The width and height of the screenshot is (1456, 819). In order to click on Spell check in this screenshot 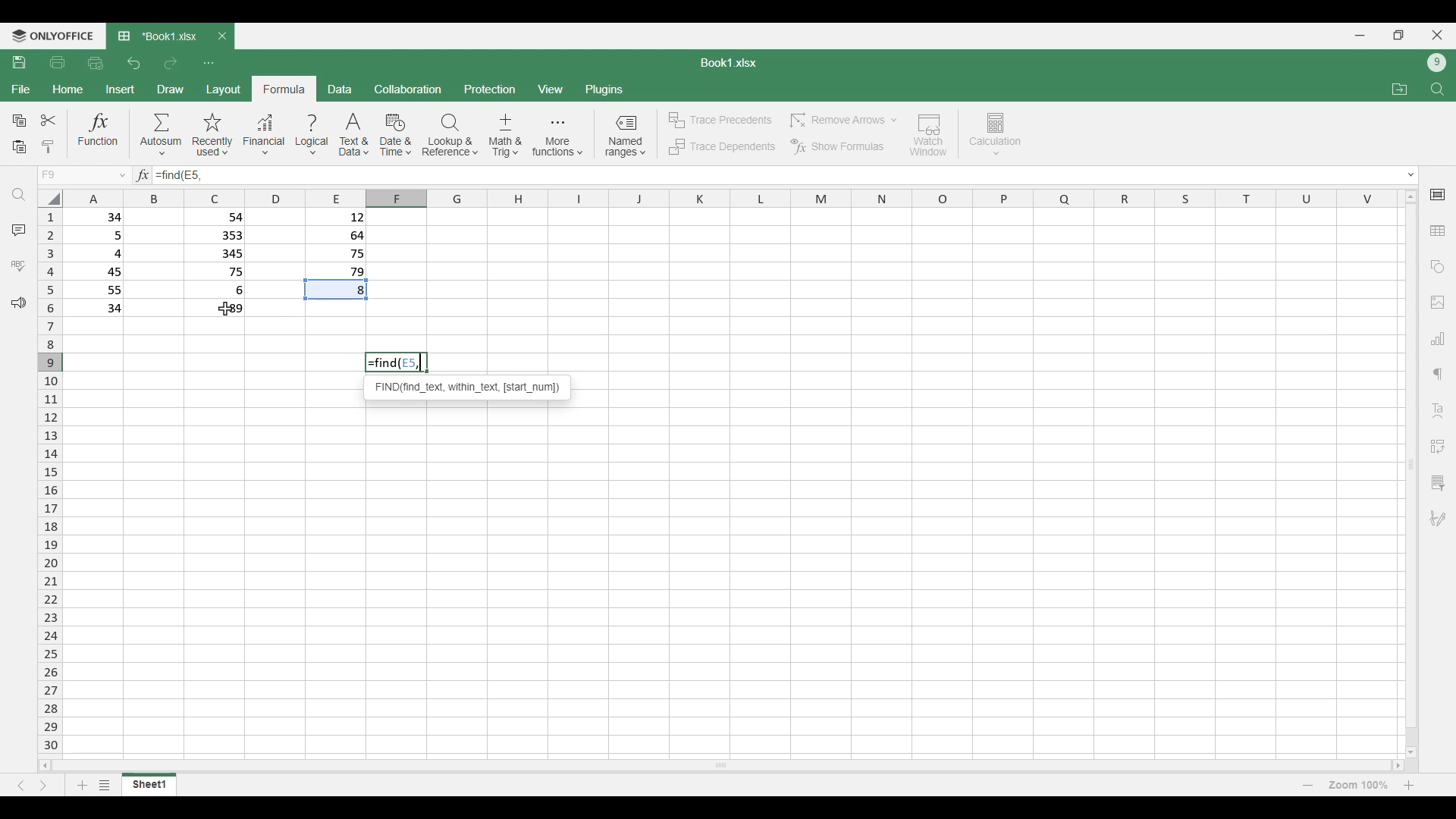, I will do `click(18, 265)`.